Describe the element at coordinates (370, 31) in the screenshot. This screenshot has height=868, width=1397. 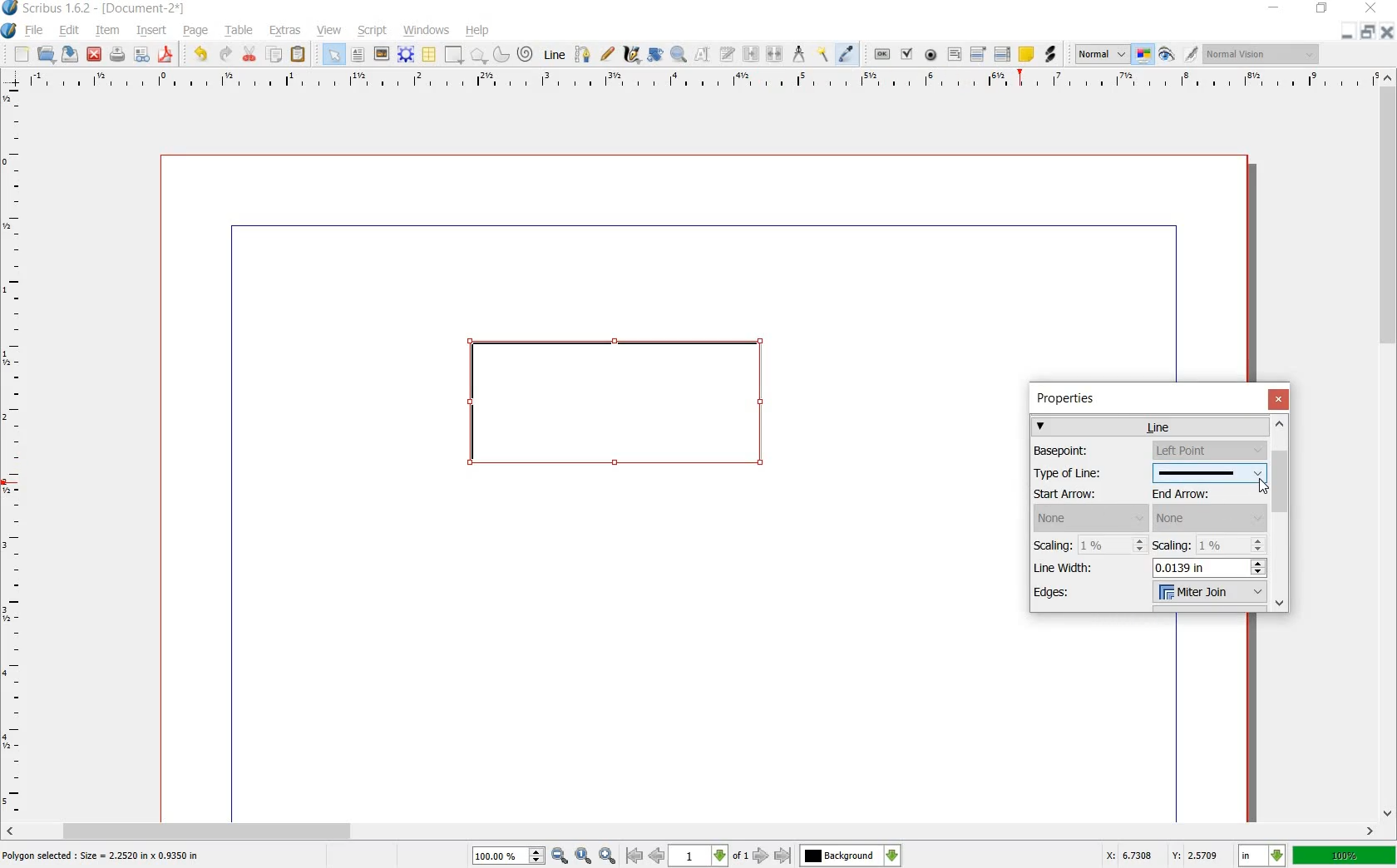
I see `SCRIPT` at that location.